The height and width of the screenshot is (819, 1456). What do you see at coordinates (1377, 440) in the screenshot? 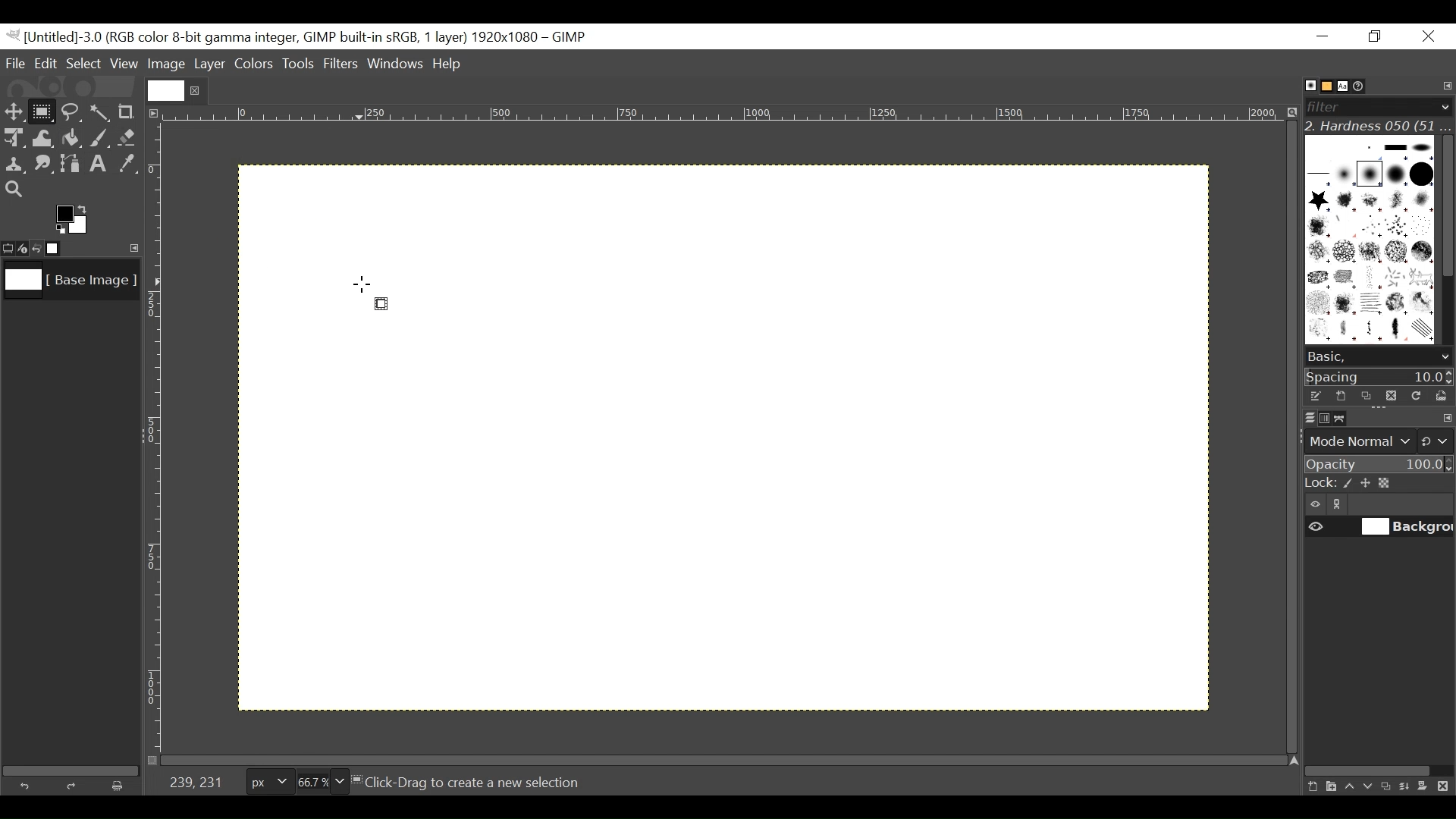
I see `Mode normal` at bounding box center [1377, 440].